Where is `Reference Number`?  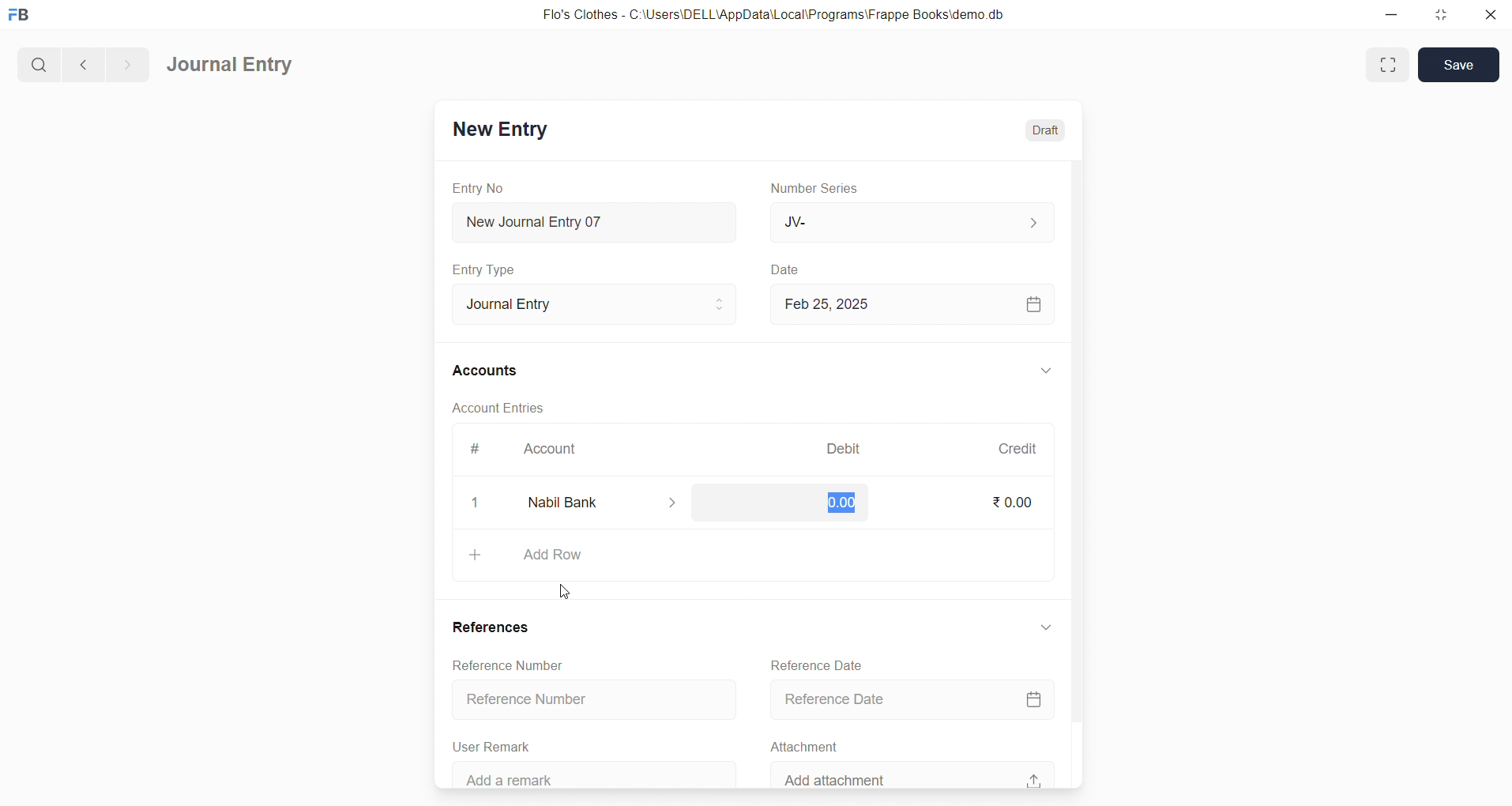
Reference Number is located at coordinates (588, 701).